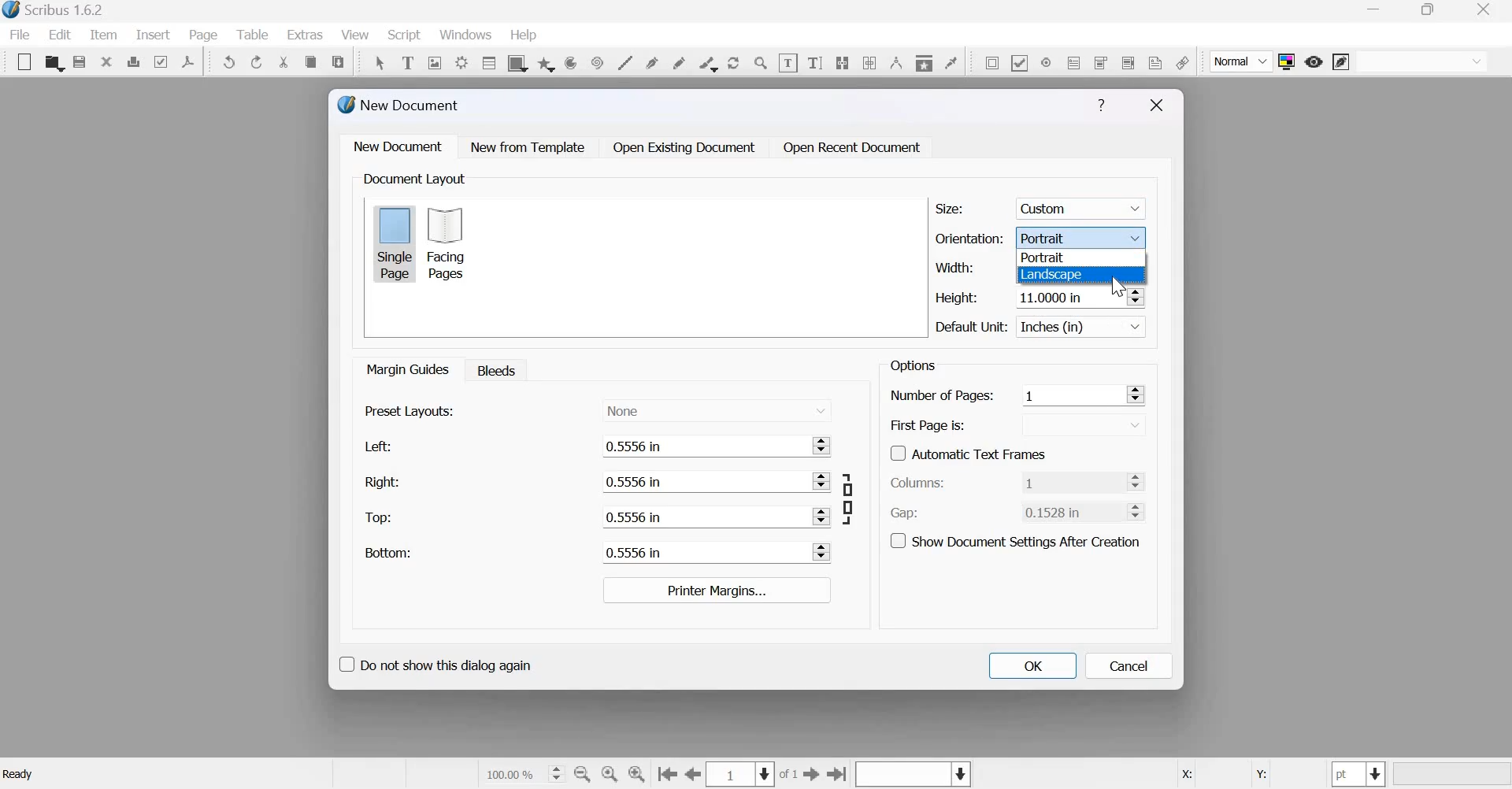  I want to click on New, so click(20, 62).